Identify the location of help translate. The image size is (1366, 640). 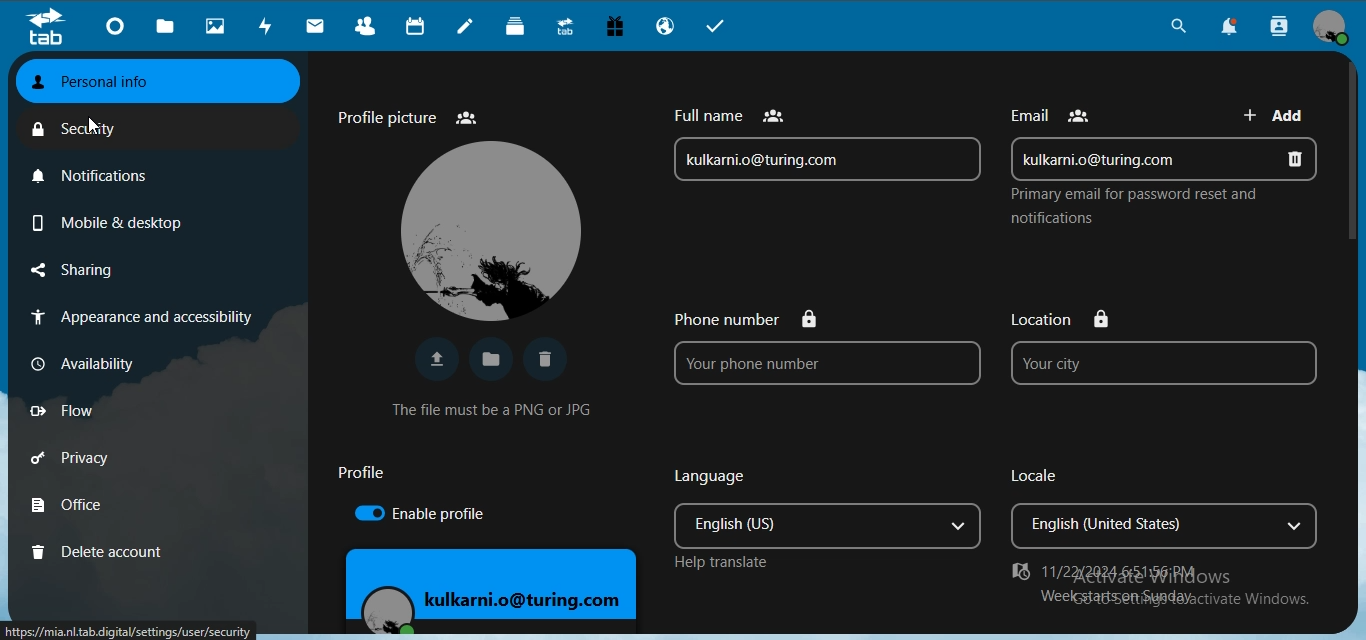
(720, 563).